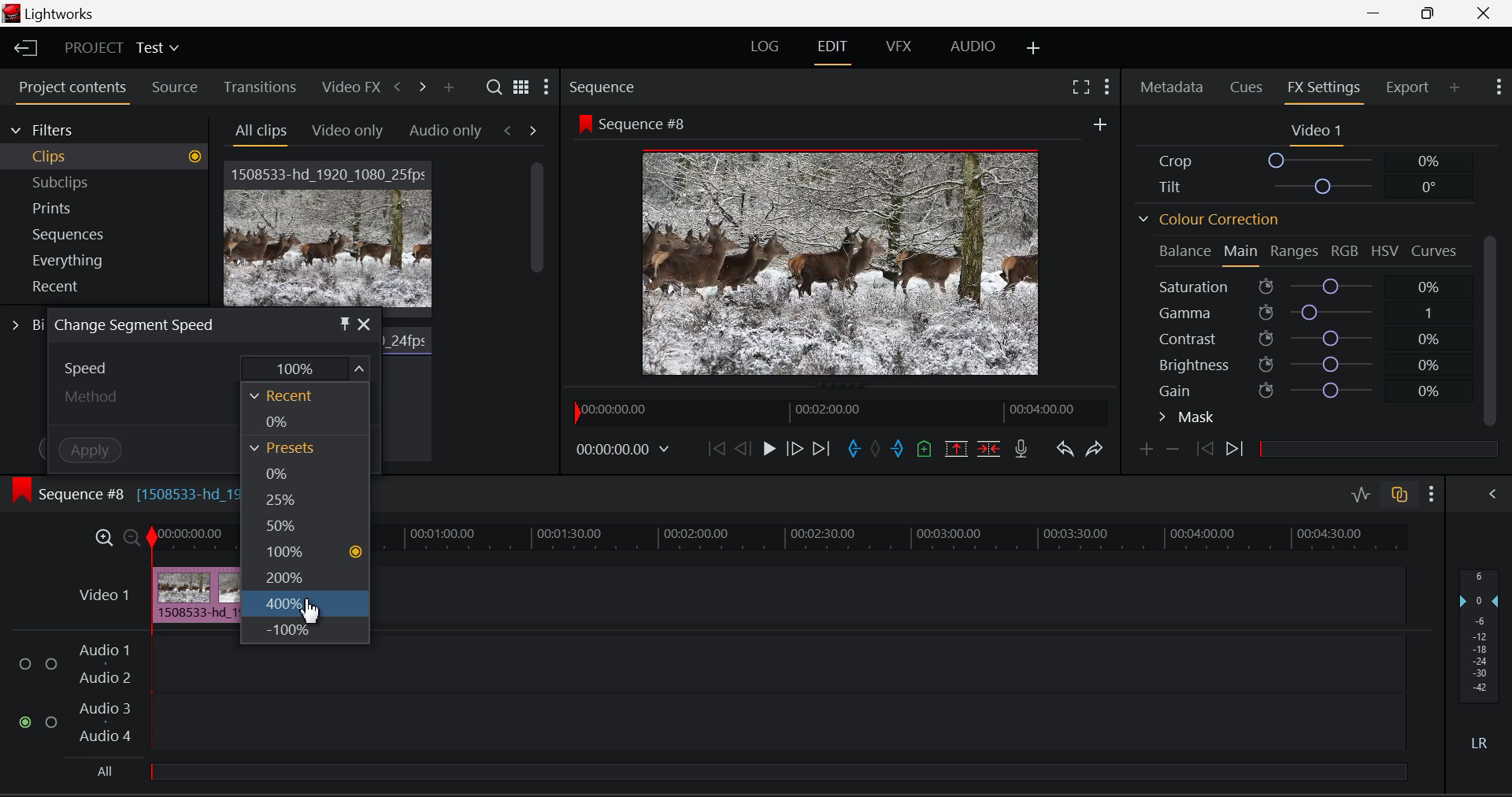 This screenshot has width=1512, height=797. Describe the element at coordinates (1295, 252) in the screenshot. I see `Ranges` at that location.